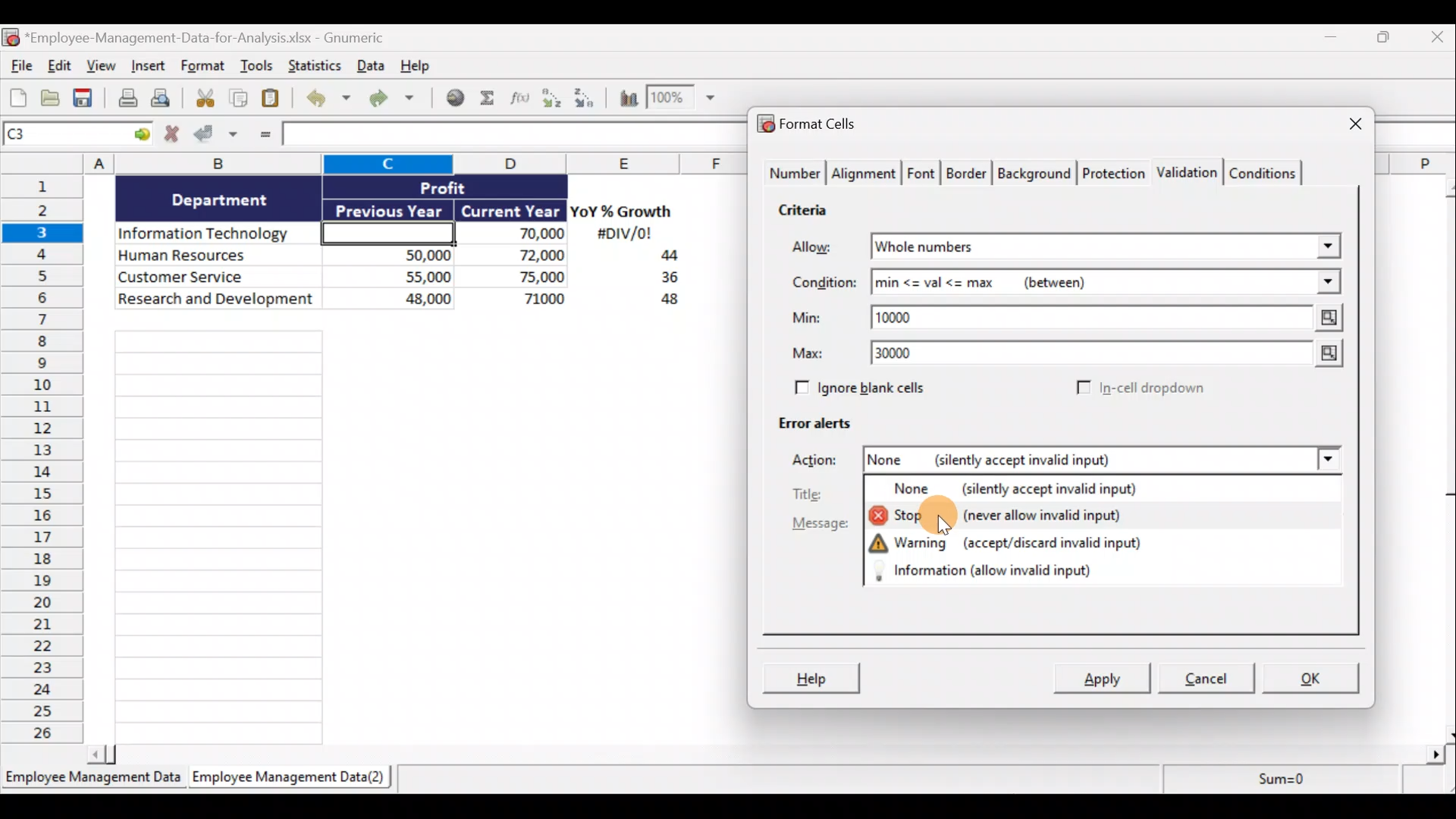 This screenshot has height=819, width=1456. I want to click on Enter formula, so click(262, 136).